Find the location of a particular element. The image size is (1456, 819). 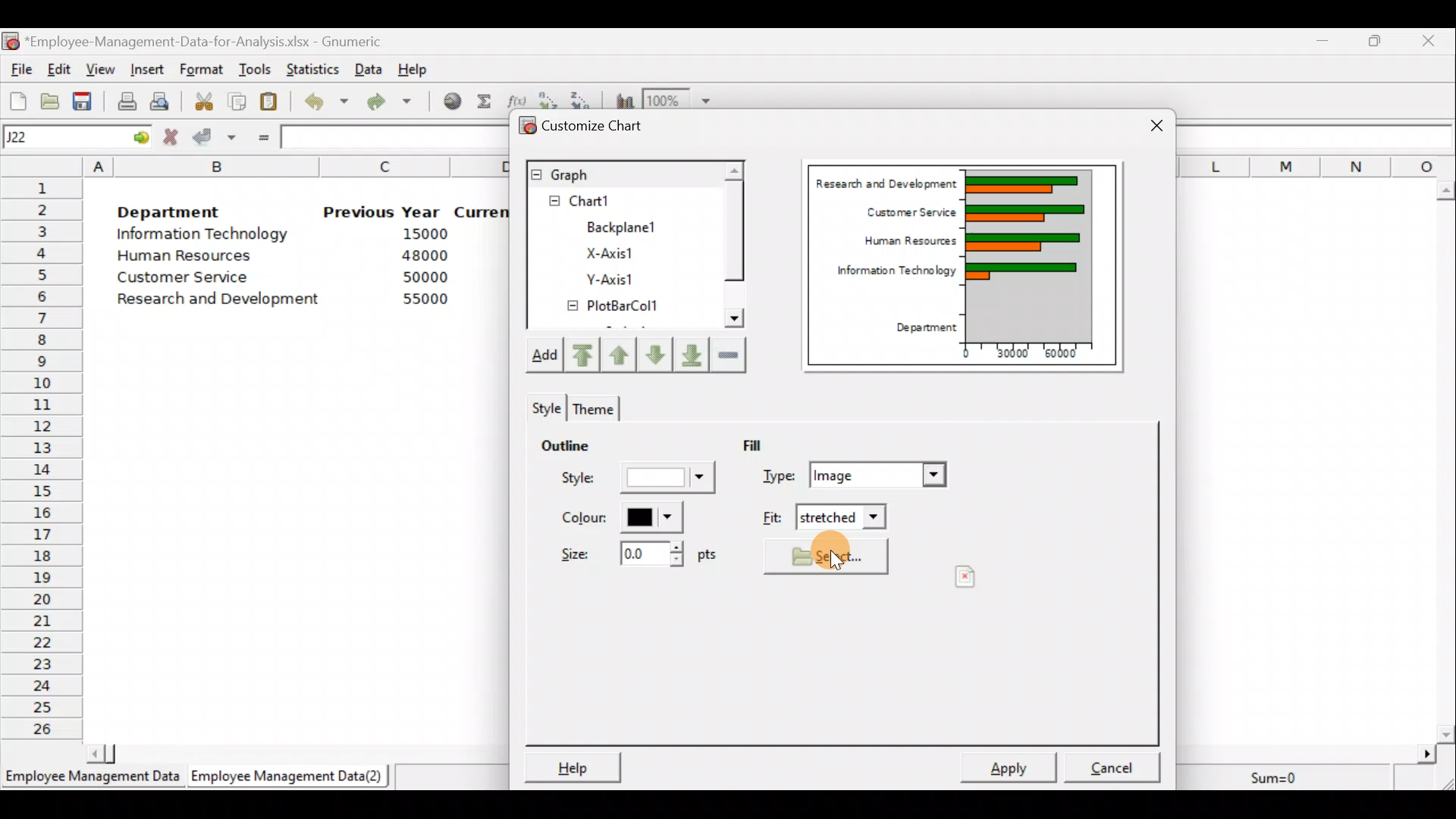

Size is located at coordinates (632, 558).